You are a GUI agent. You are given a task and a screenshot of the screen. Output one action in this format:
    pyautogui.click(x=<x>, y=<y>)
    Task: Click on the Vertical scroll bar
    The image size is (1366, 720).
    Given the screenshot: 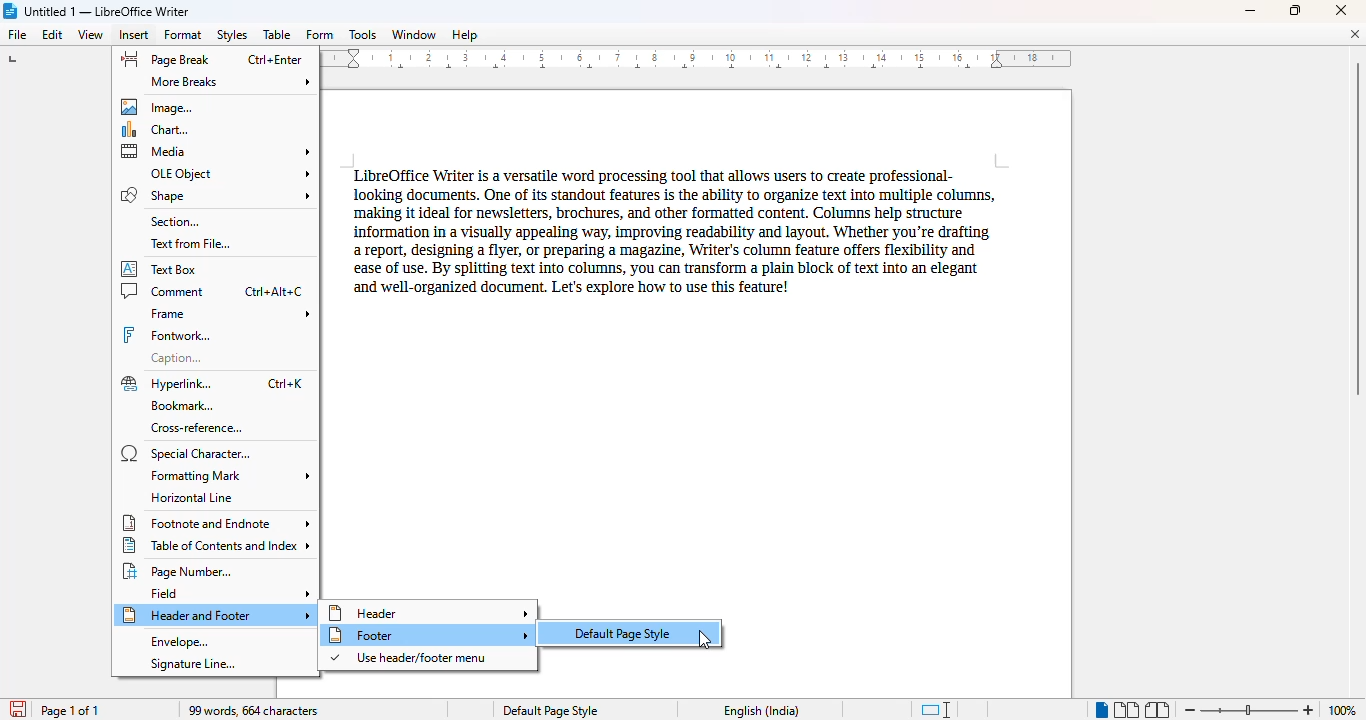 What is the action you would take?
    pyautogui.click(x=1357, y=229)
    